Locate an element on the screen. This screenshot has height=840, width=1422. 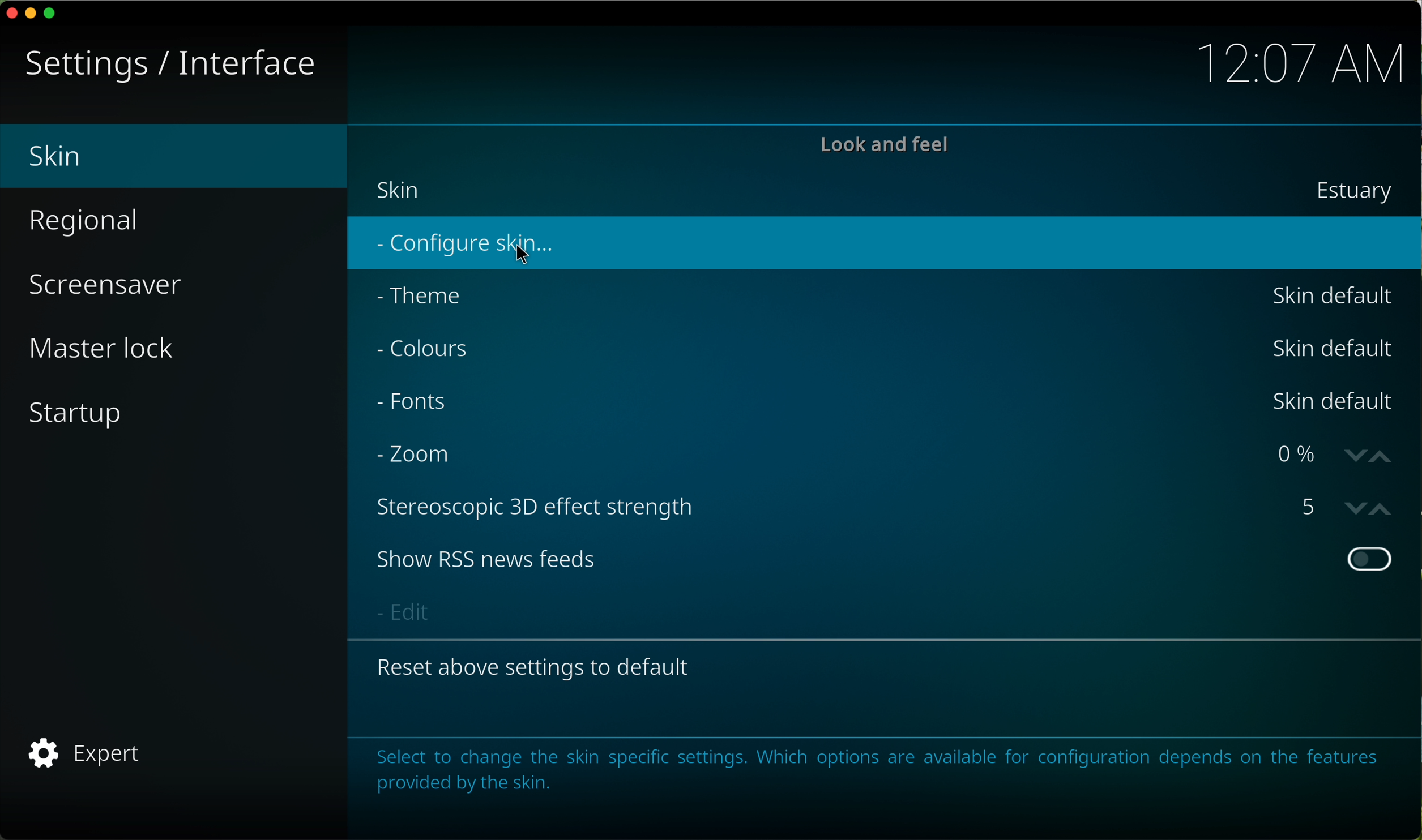
zoom is located at coordinates (421, 458).